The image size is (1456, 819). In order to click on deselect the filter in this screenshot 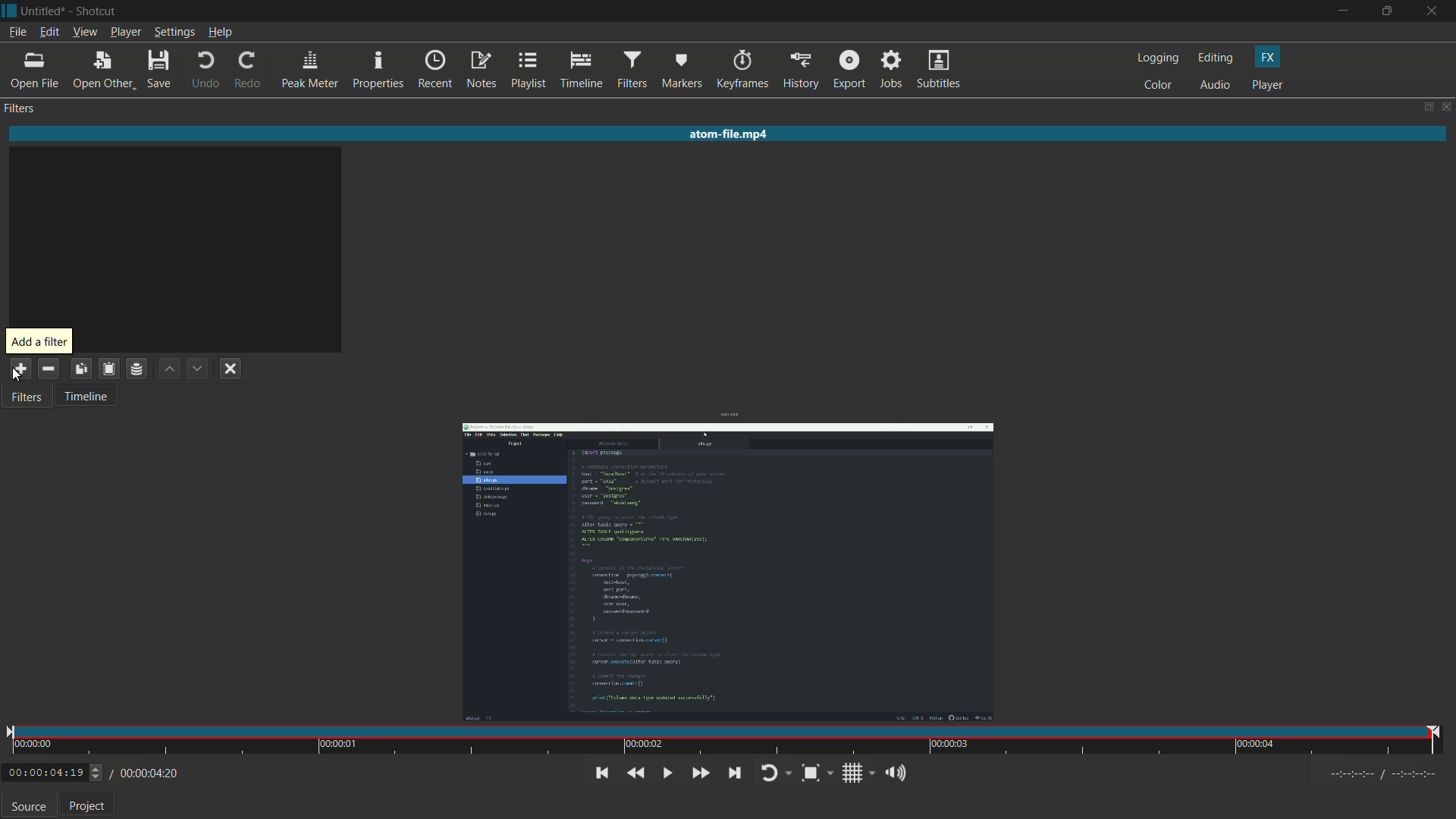, I will do `click(231, 370)`.